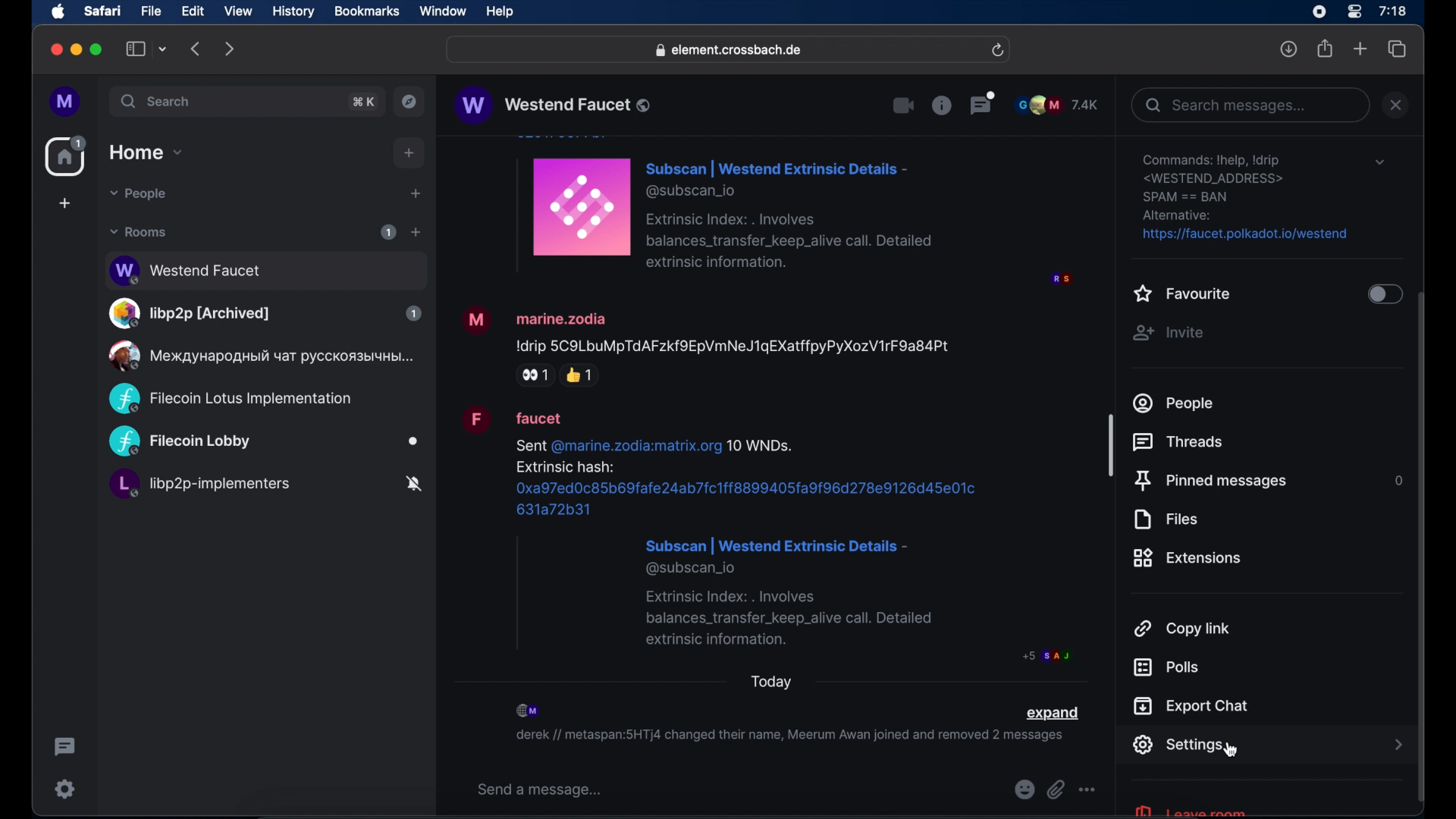 This screenshot has width=1456, height=819. I want to click on export chat, so click(1191, 706).